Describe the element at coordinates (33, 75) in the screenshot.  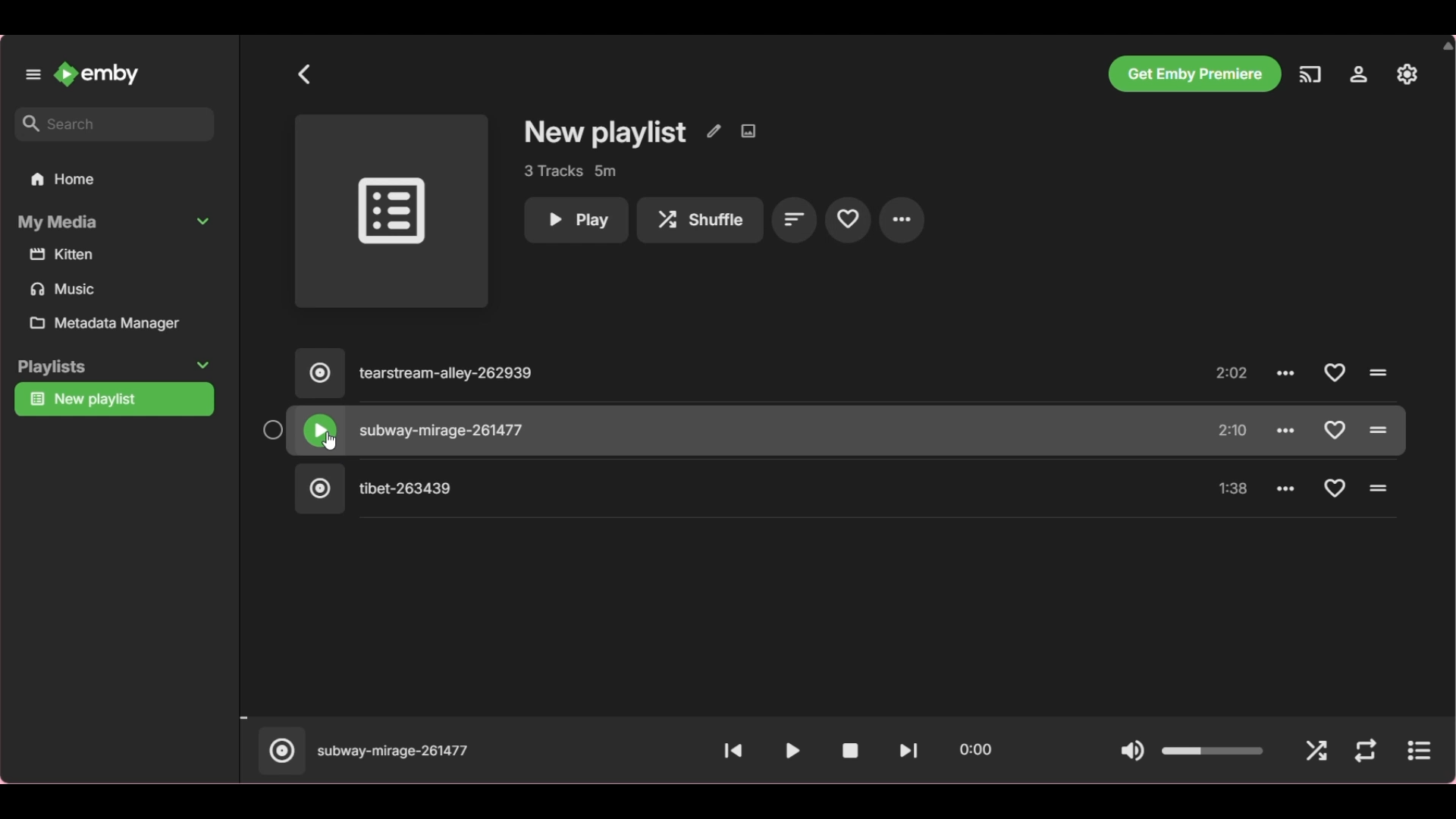
I see `Unpin left panel` at that location.